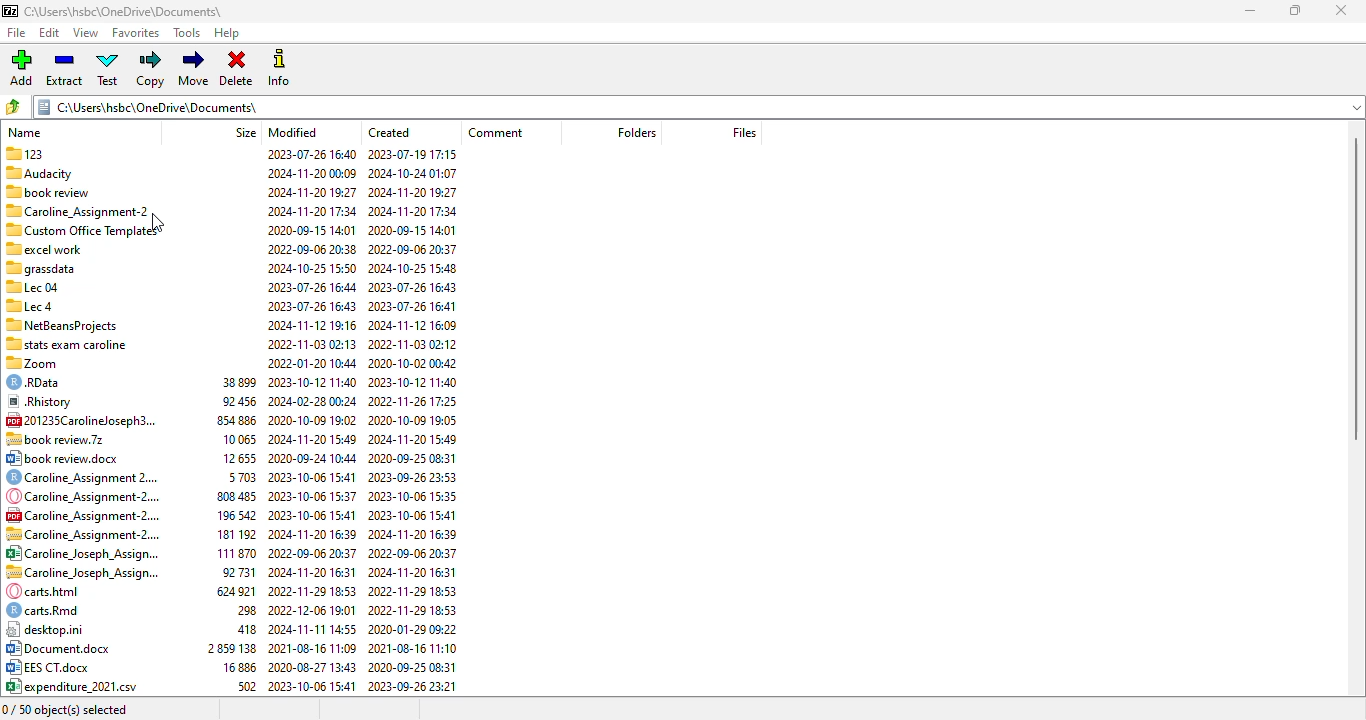  What do you see at coordinates (41, 365) in the screenshot?
I see `zoom` at bounding box center [41, 365].